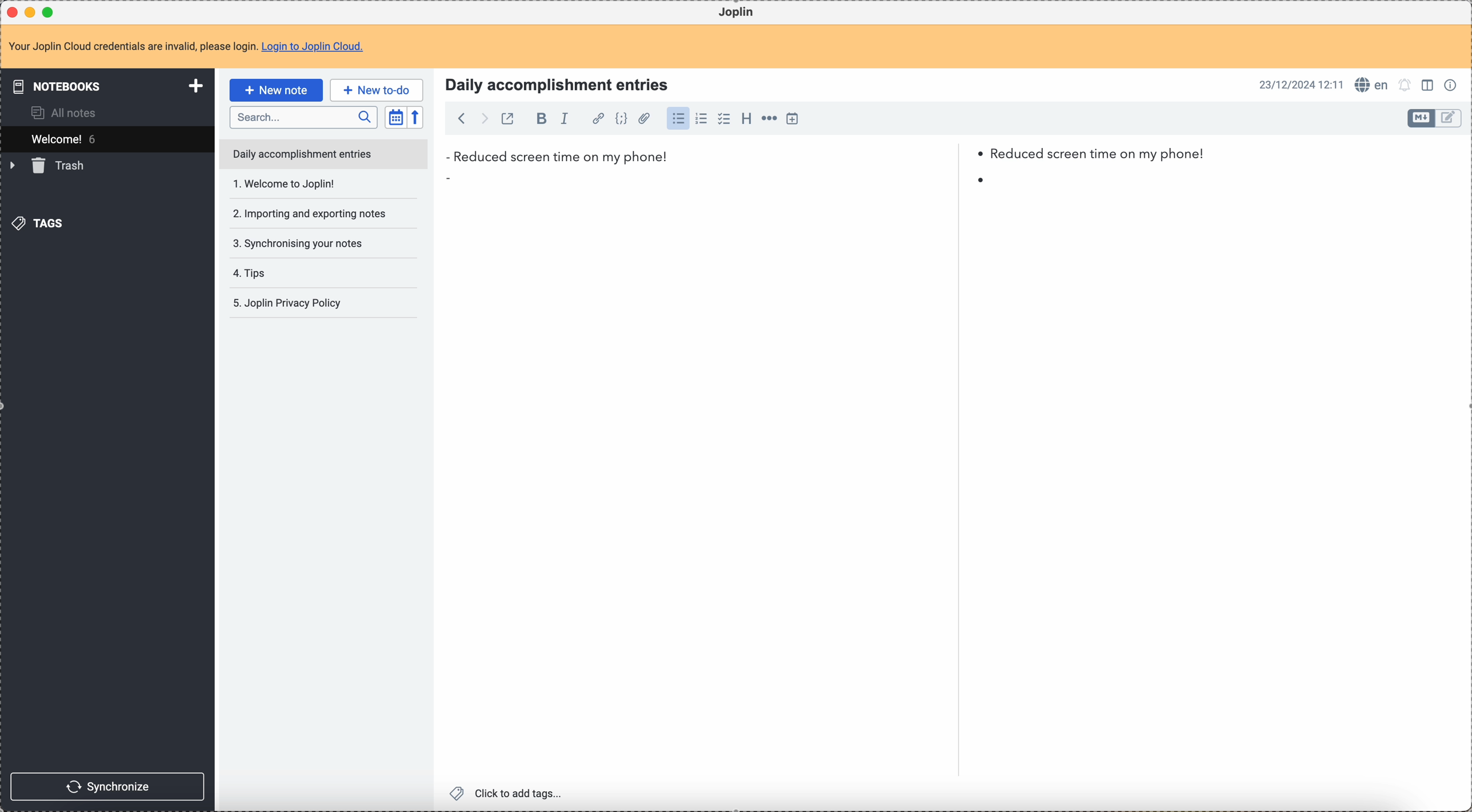 Image resolution: width=1472 pixels, height=812 pixels. I want to click on reverse sort order, so click(415, 117).